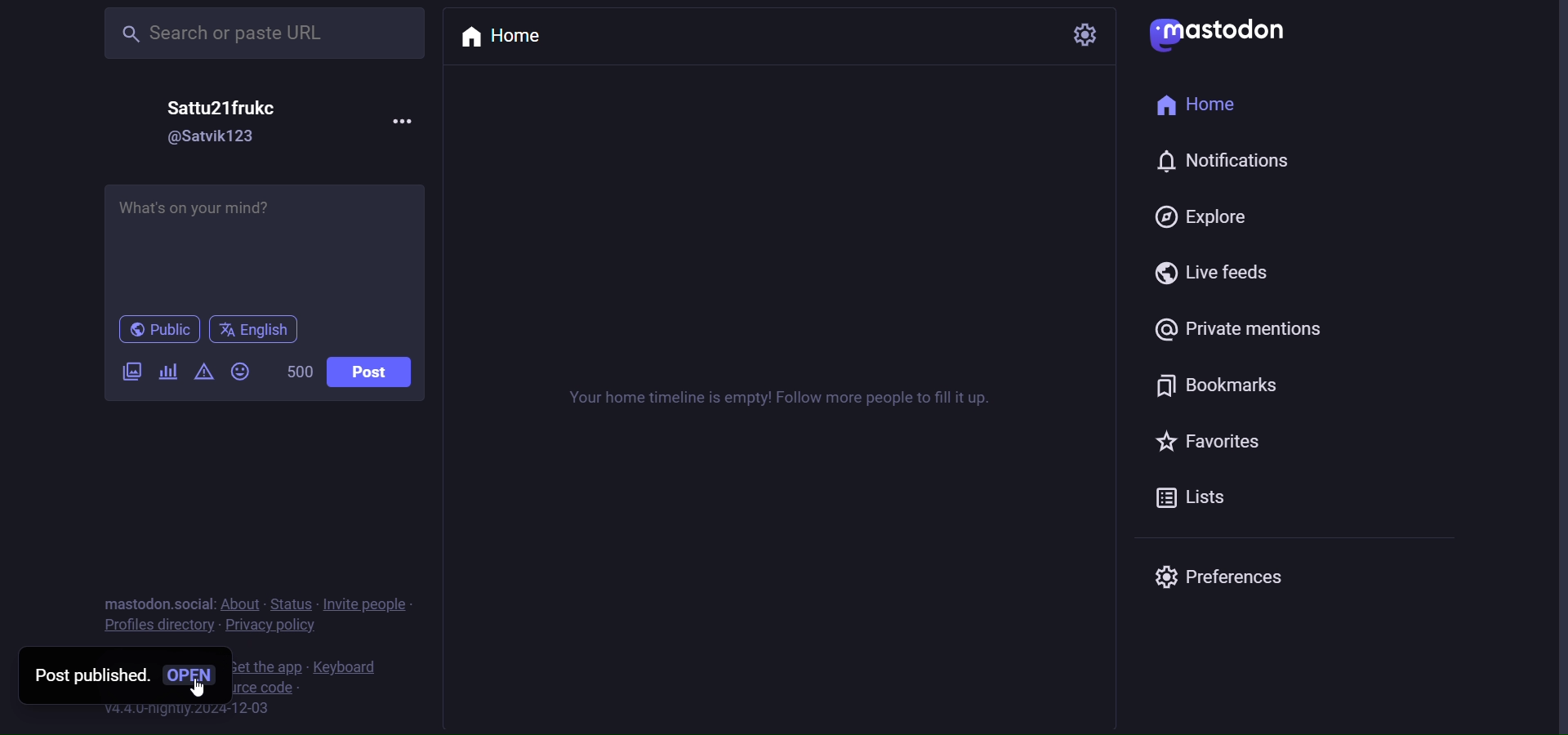  I want to click on search, so click(264, 32).